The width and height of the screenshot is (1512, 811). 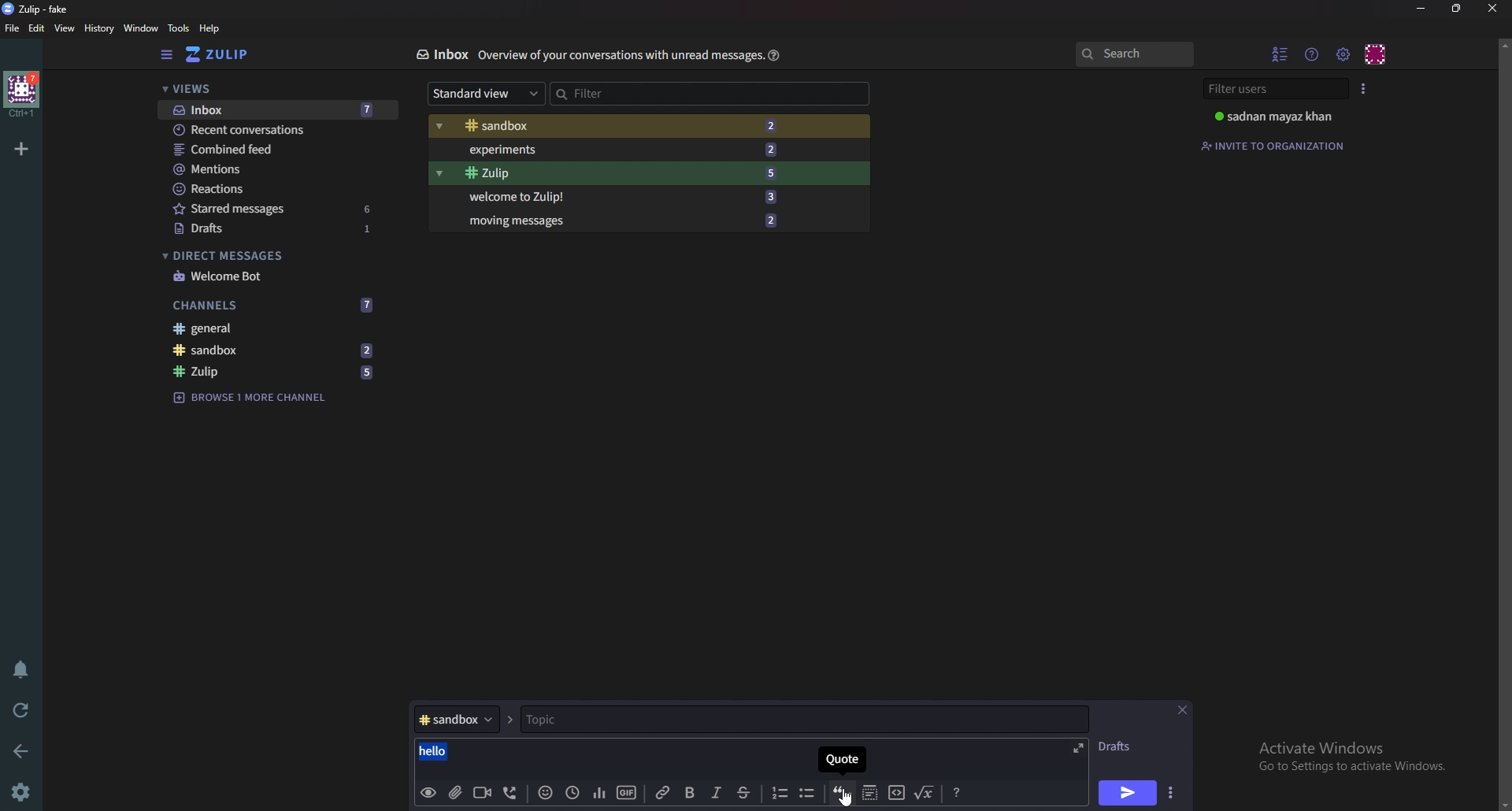 What do you see at coordinates (872, 794) in the screenshot?
I see `Spoiler` at bounding box center [872, 794].